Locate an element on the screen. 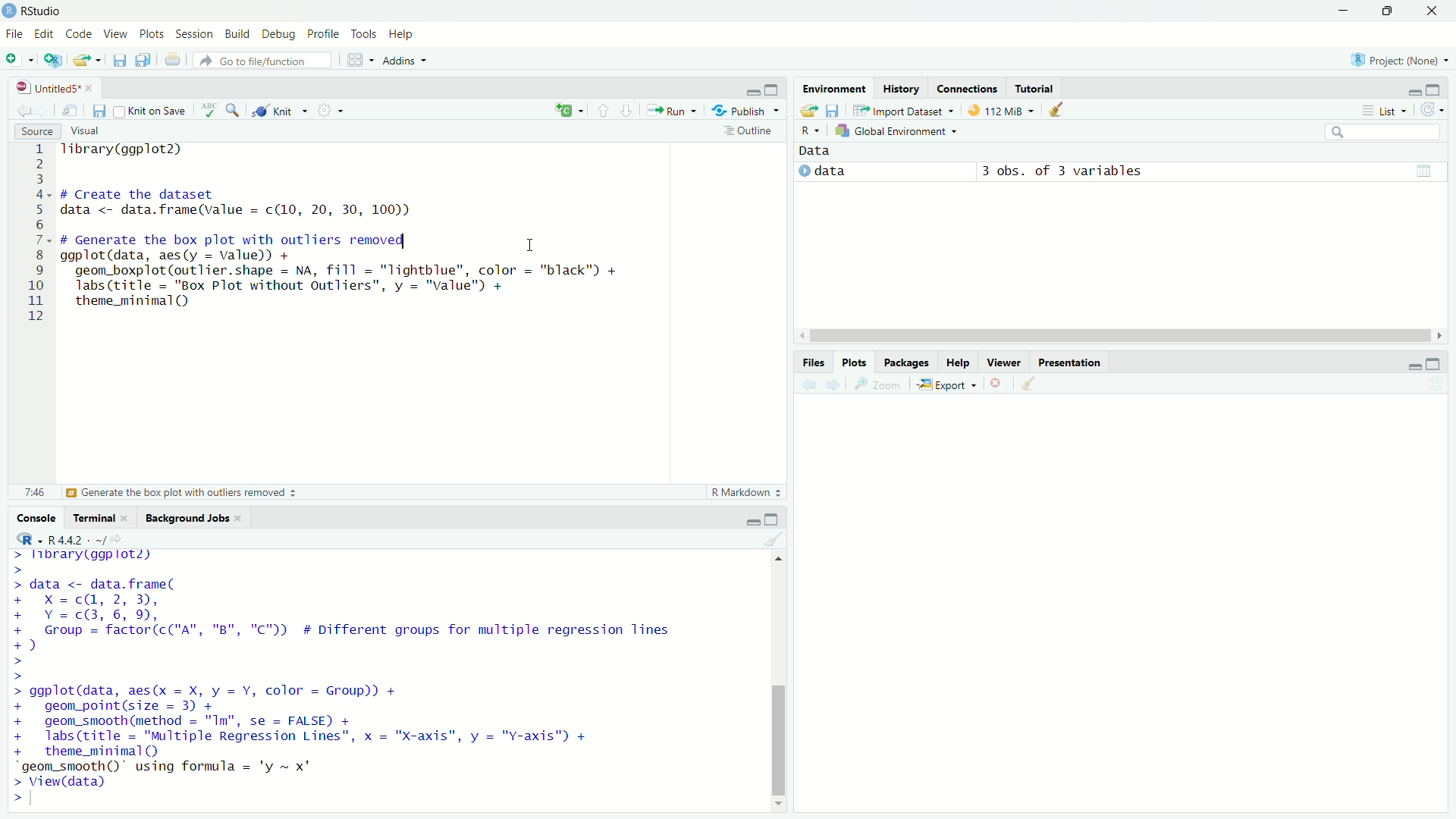  Tutorial is located at coordinates (1036, 86).